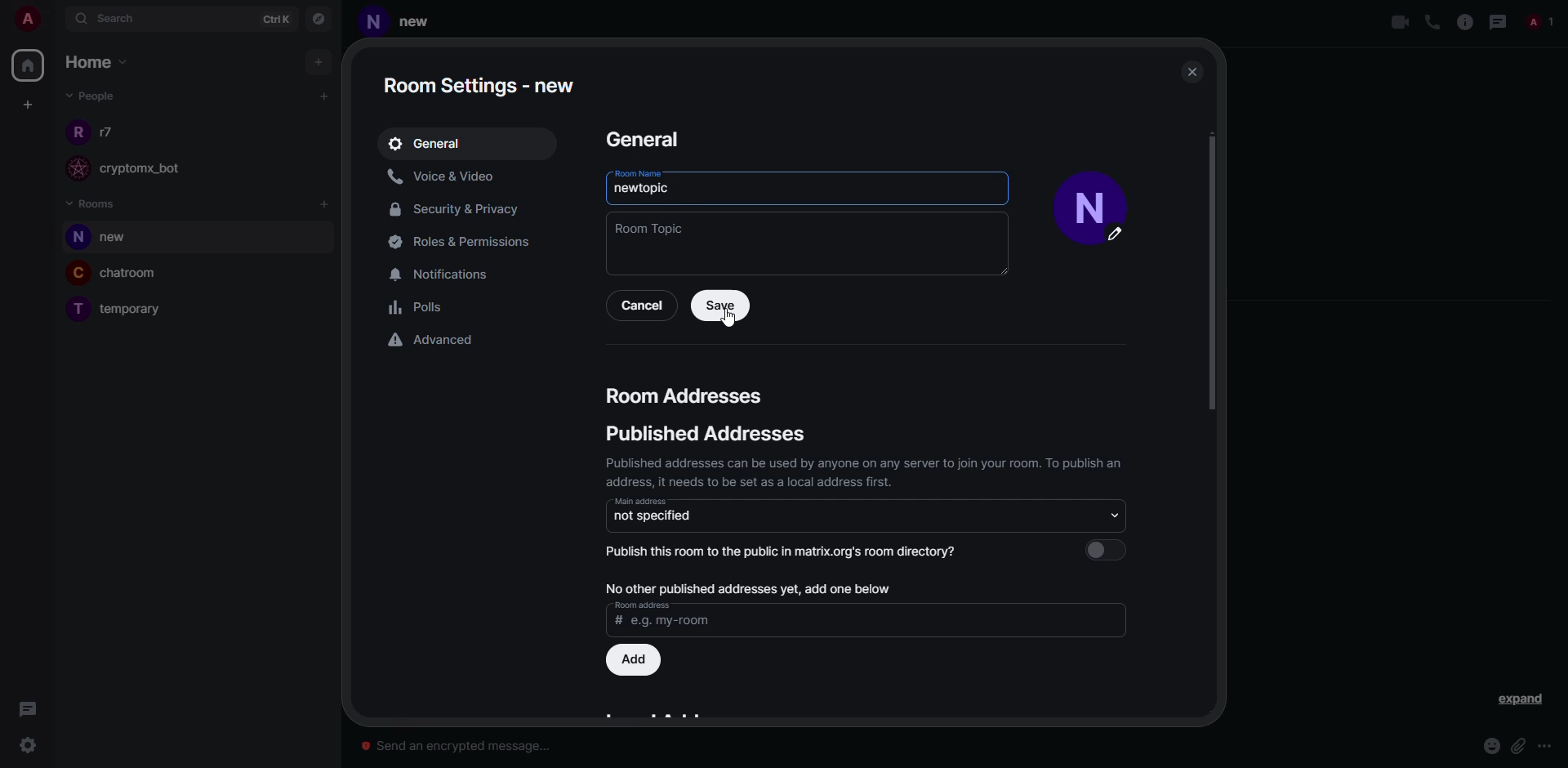 The image size is (1568, 768). What do you see at coordinates (641, 138) in the screenshot?
I see `general` at bounding box center [641, 138].